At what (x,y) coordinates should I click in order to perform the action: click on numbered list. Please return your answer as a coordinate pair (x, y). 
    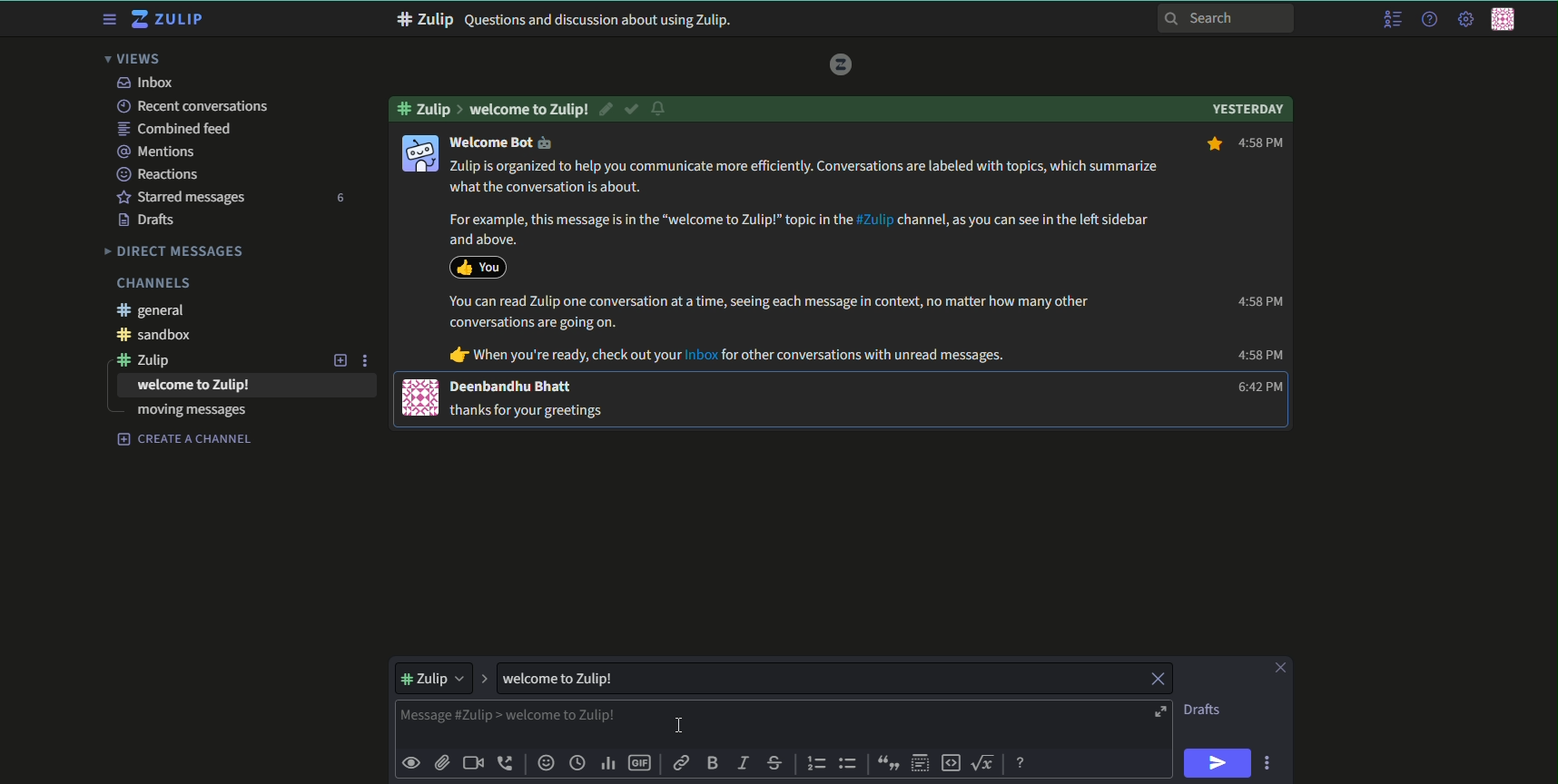
    Looking at the image, I should click on (817, 763).